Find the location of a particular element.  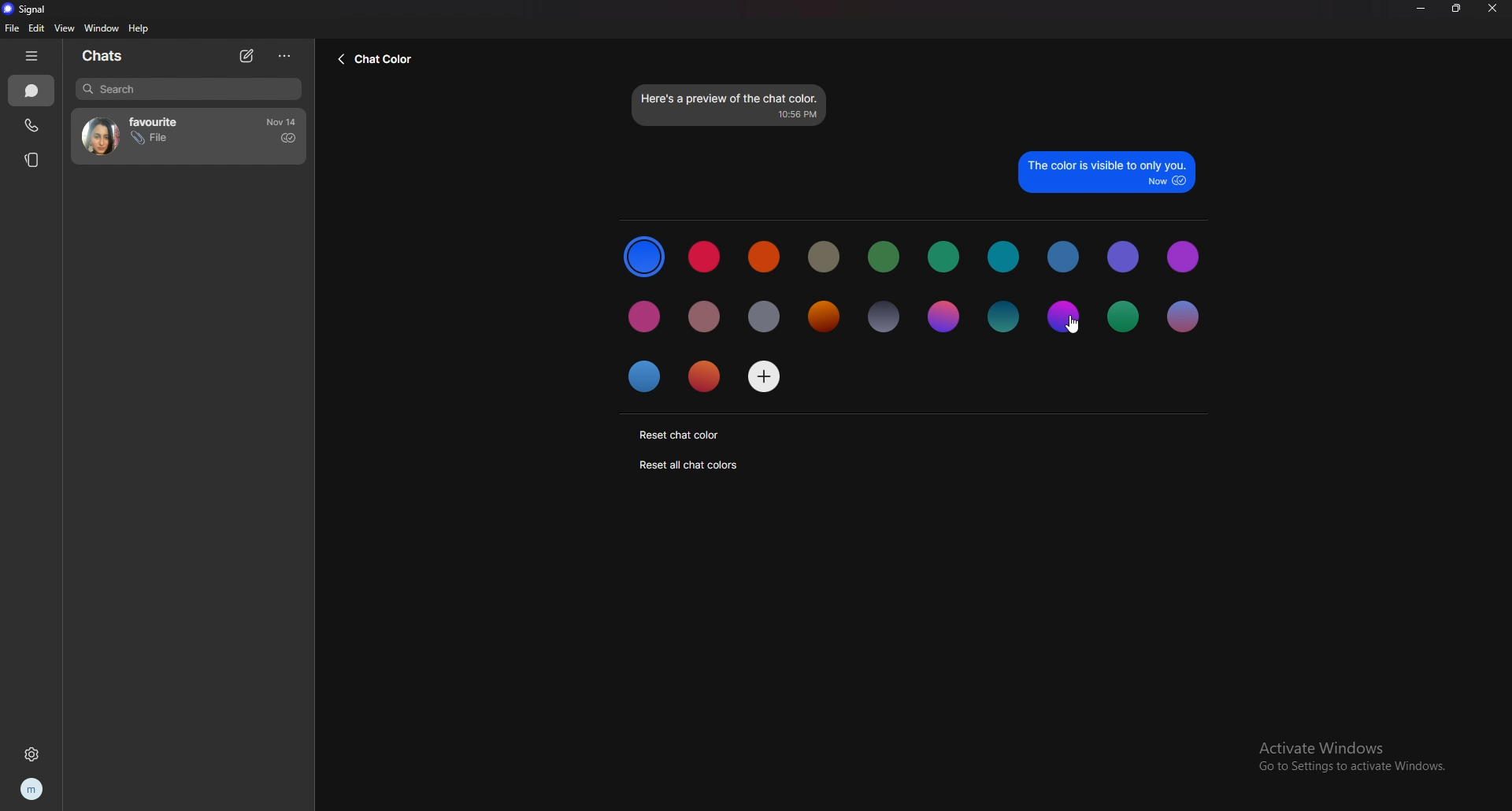

add color is located at coordinates (764, 375).